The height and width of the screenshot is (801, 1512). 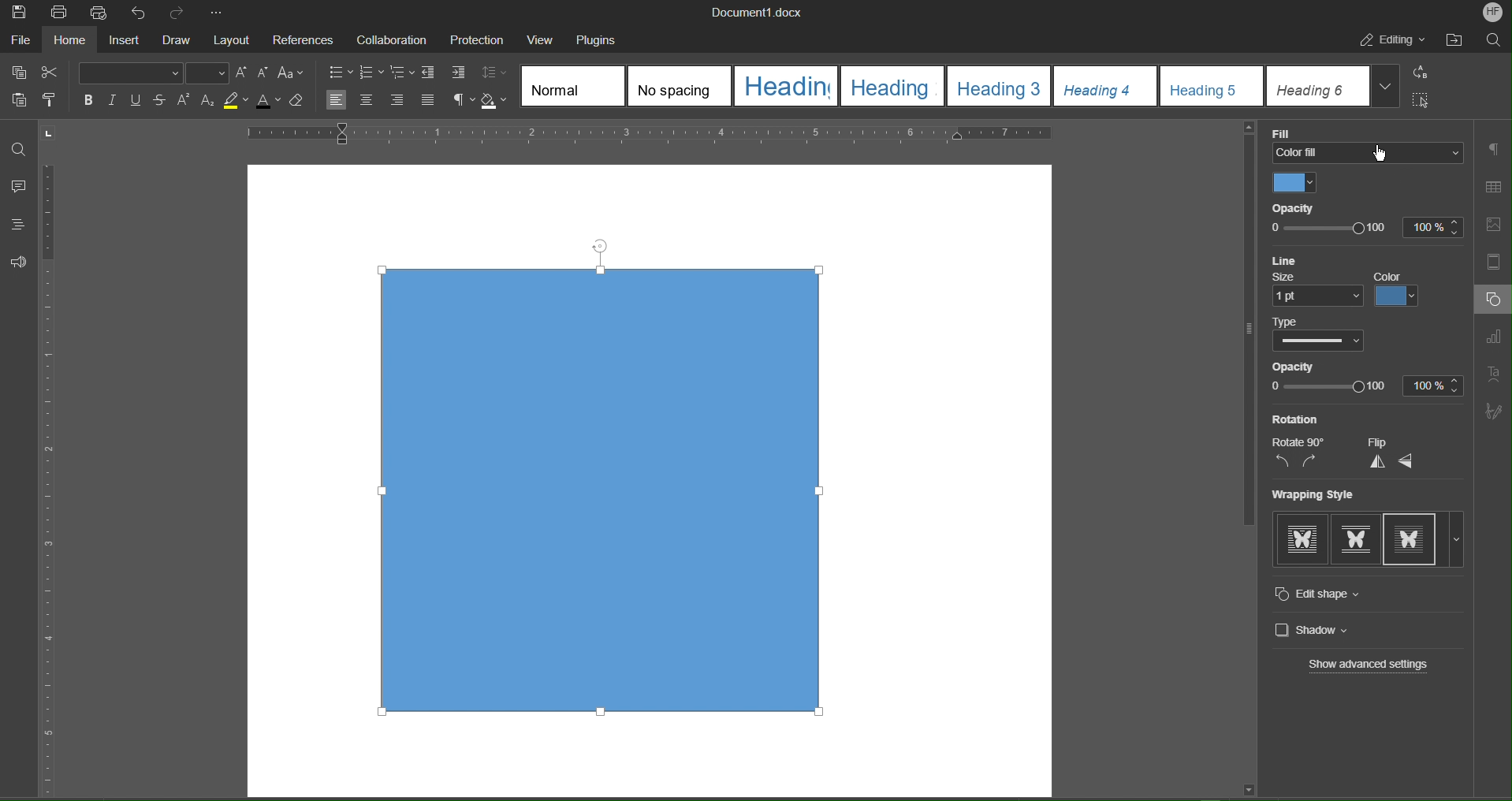 I want to click on Collaboration, so click(x=393, y=39).